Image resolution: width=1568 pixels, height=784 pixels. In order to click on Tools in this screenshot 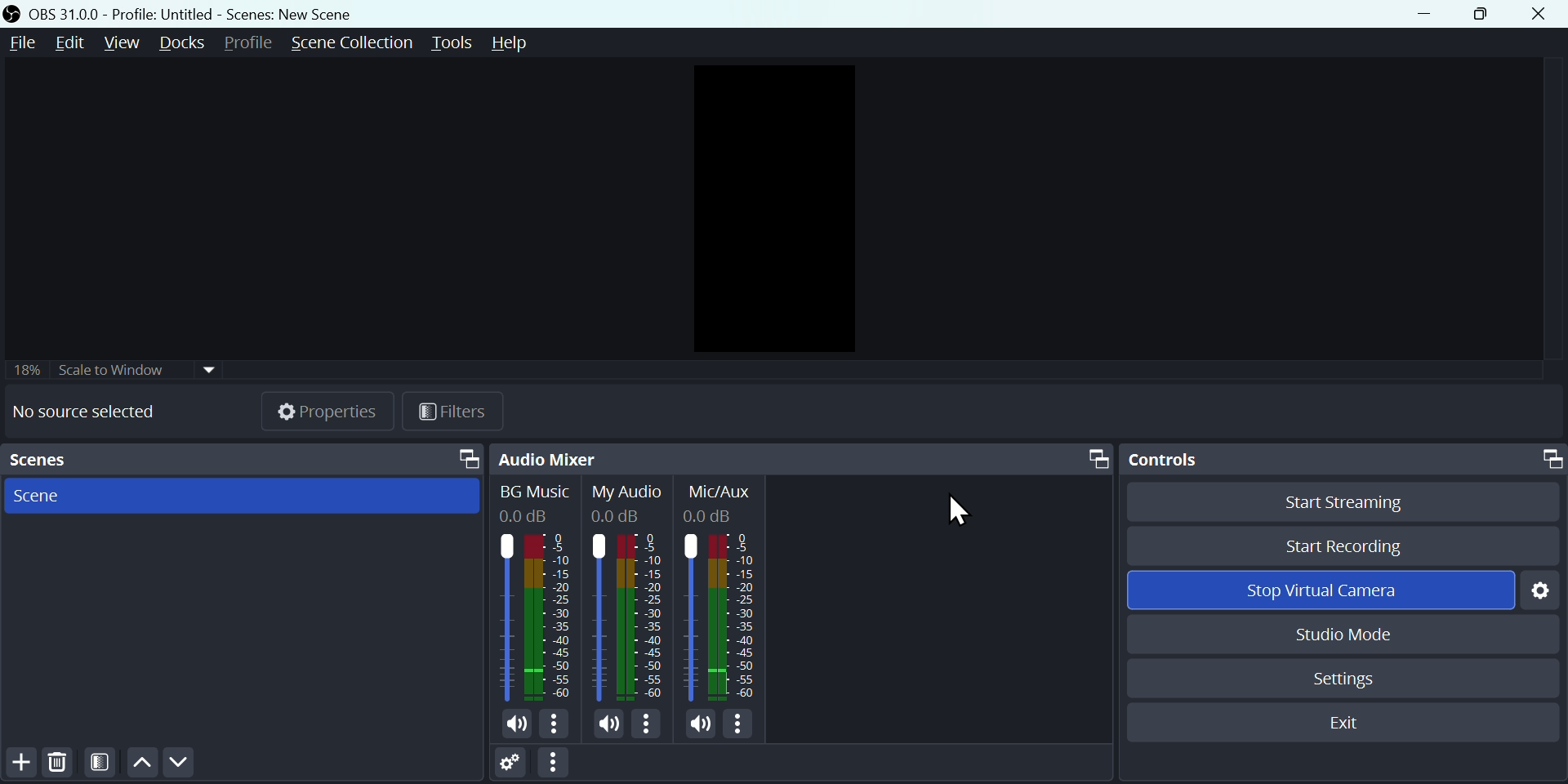, I will do `click(451, 43)`.